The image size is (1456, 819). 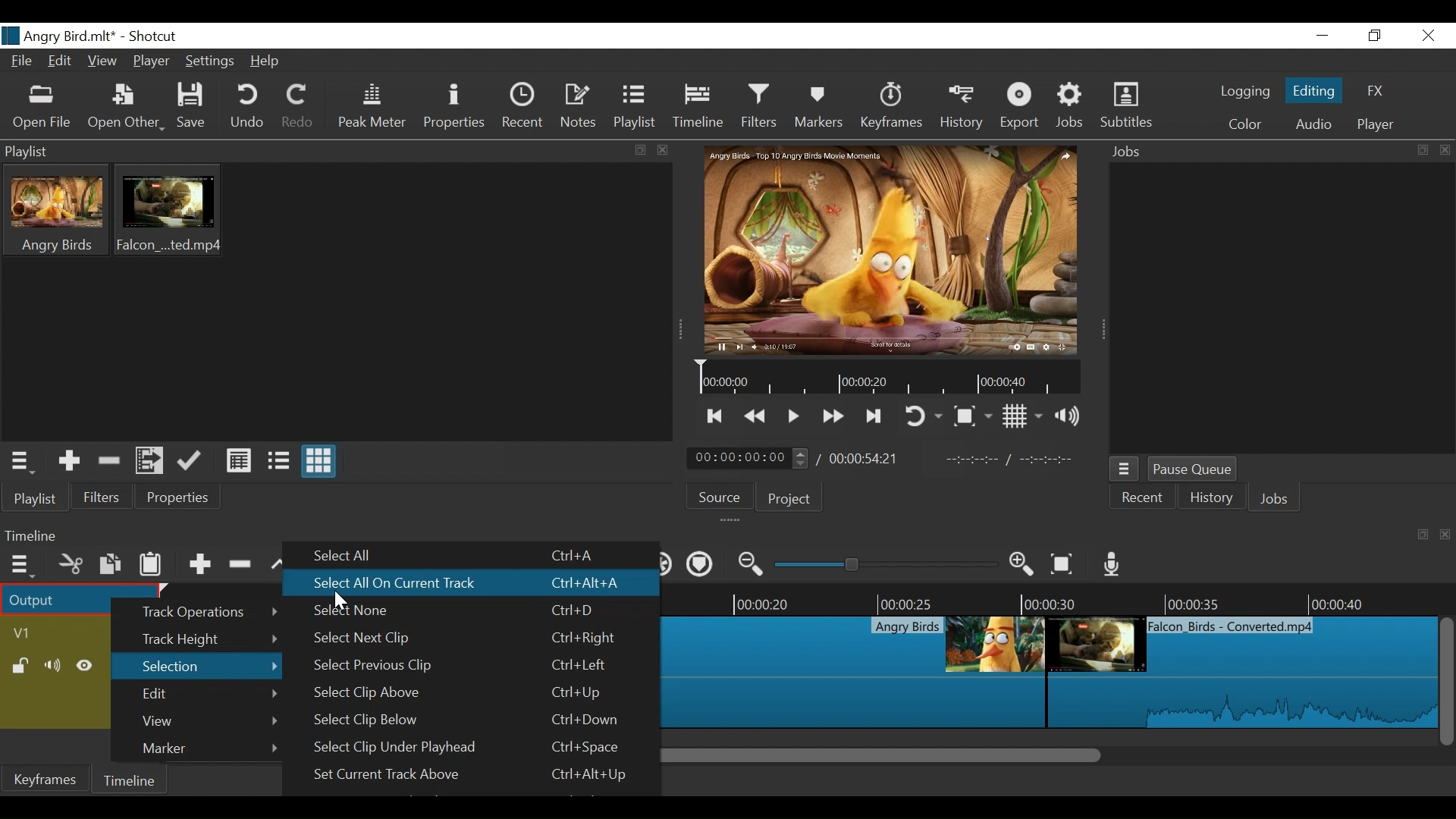 I want to click on Output, so click(x=62, y=598).